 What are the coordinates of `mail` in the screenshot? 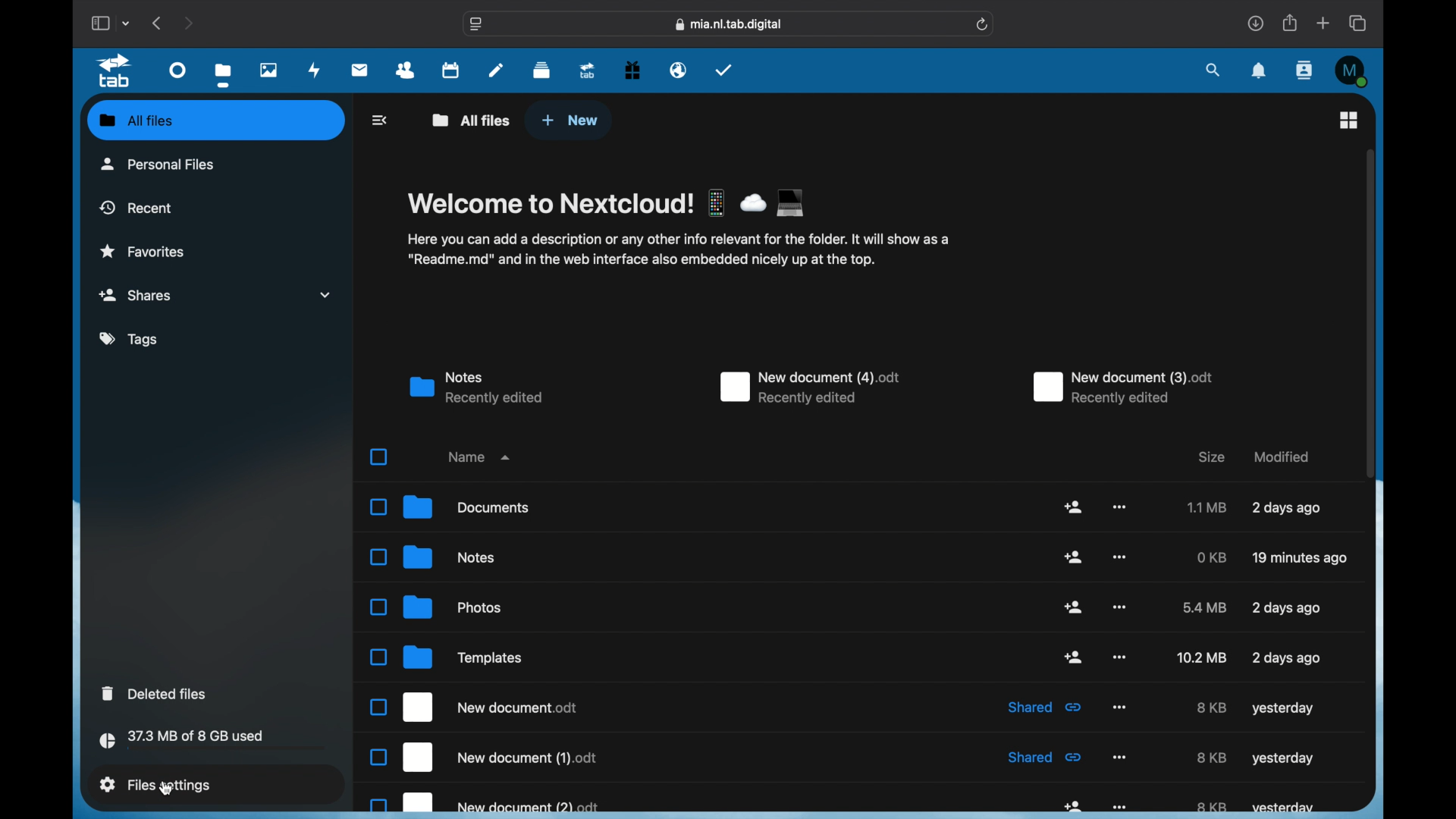 It's located at (360, 71).